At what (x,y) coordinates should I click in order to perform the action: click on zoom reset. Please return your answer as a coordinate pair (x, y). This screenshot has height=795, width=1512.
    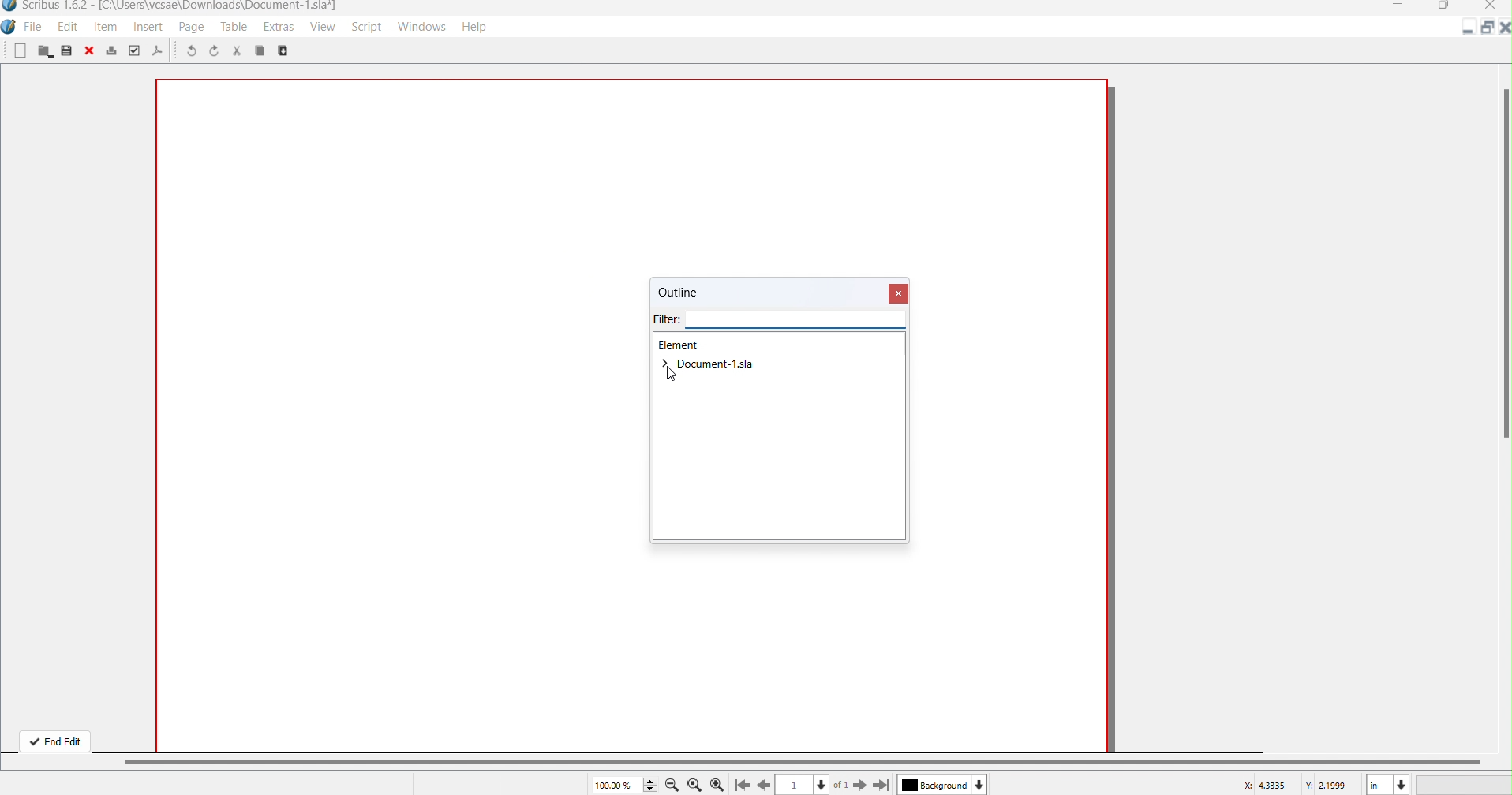
    Looking at the image, I should click on (694, 786).